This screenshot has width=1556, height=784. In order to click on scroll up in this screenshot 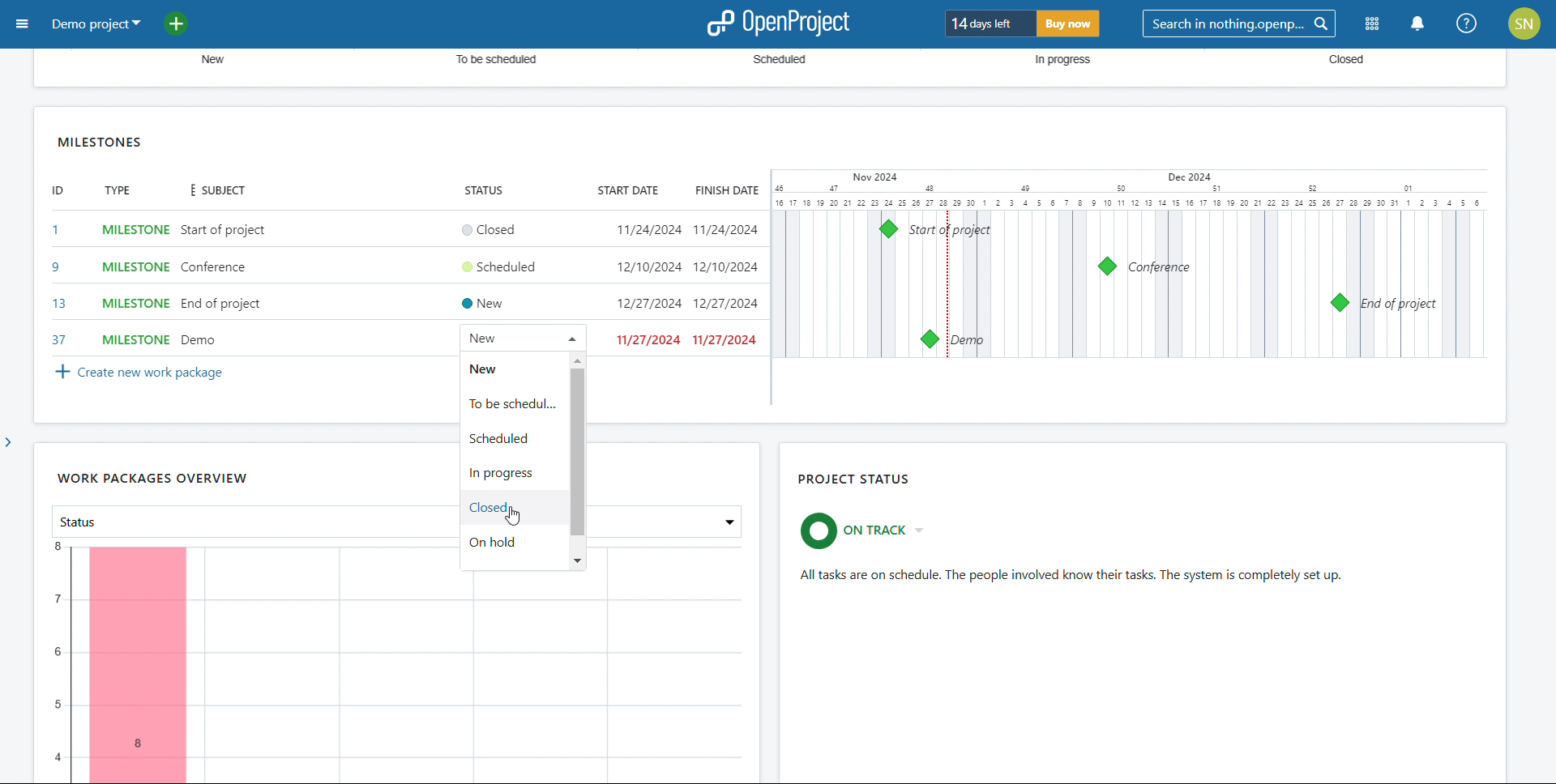, I will do `click(577, 360)`.